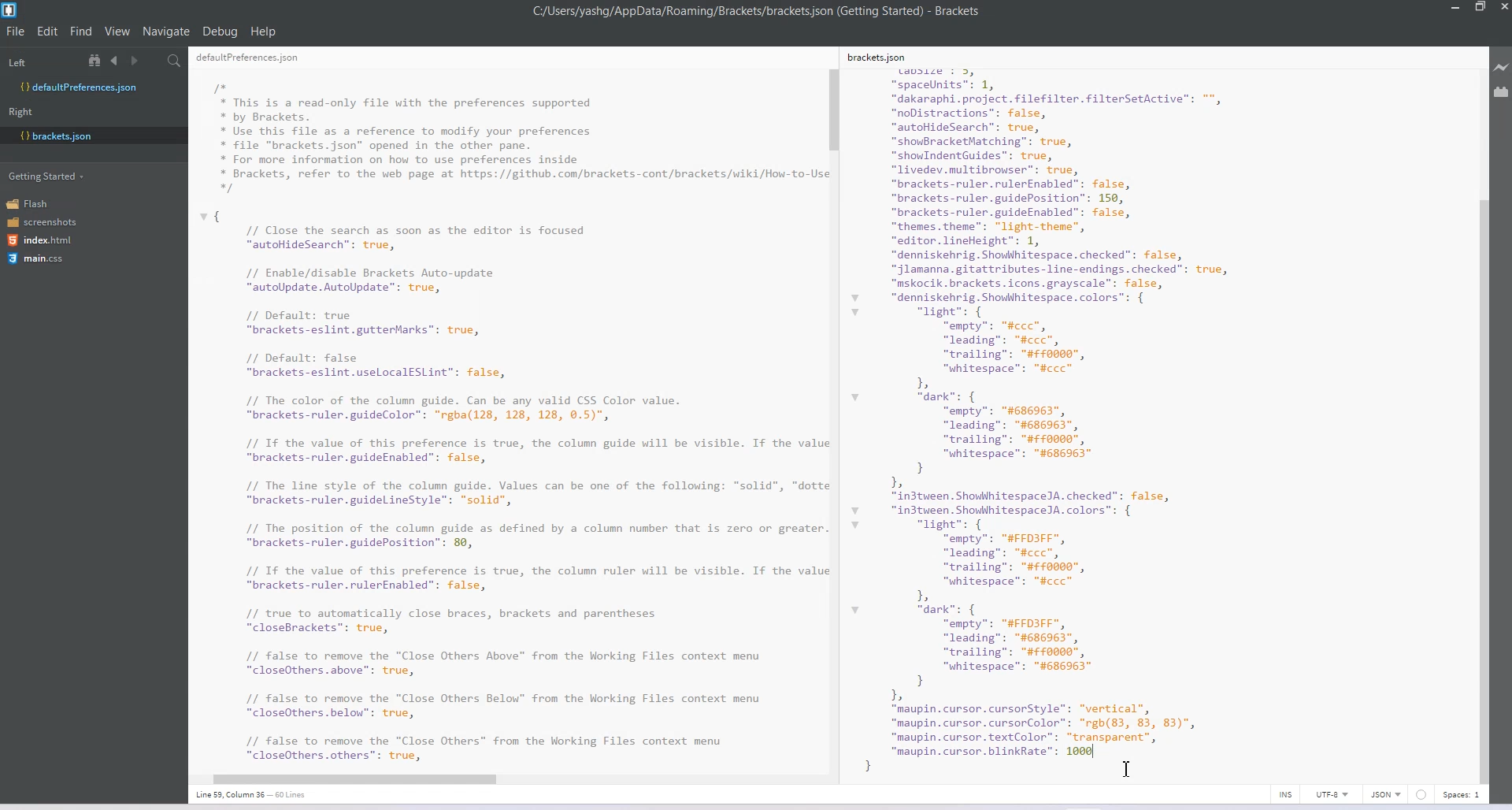 The width and height of the screenshot is (1512, 810). Describe the element at coordinates (1462, 795) in the screenshot. I see `Spaces 1` at that location.